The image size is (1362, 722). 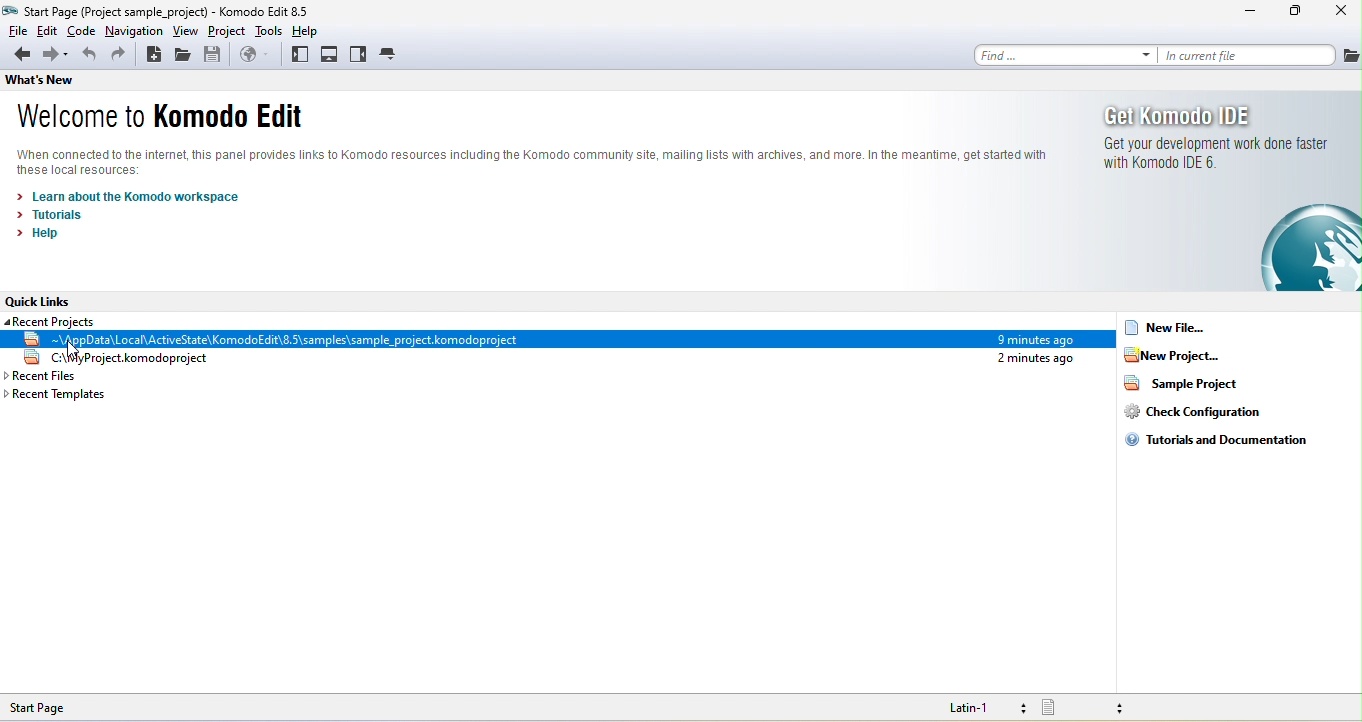 What do you see at coordinates (395, 54) in the screenshot?
I see `tab` at bounding box center [395, 54].